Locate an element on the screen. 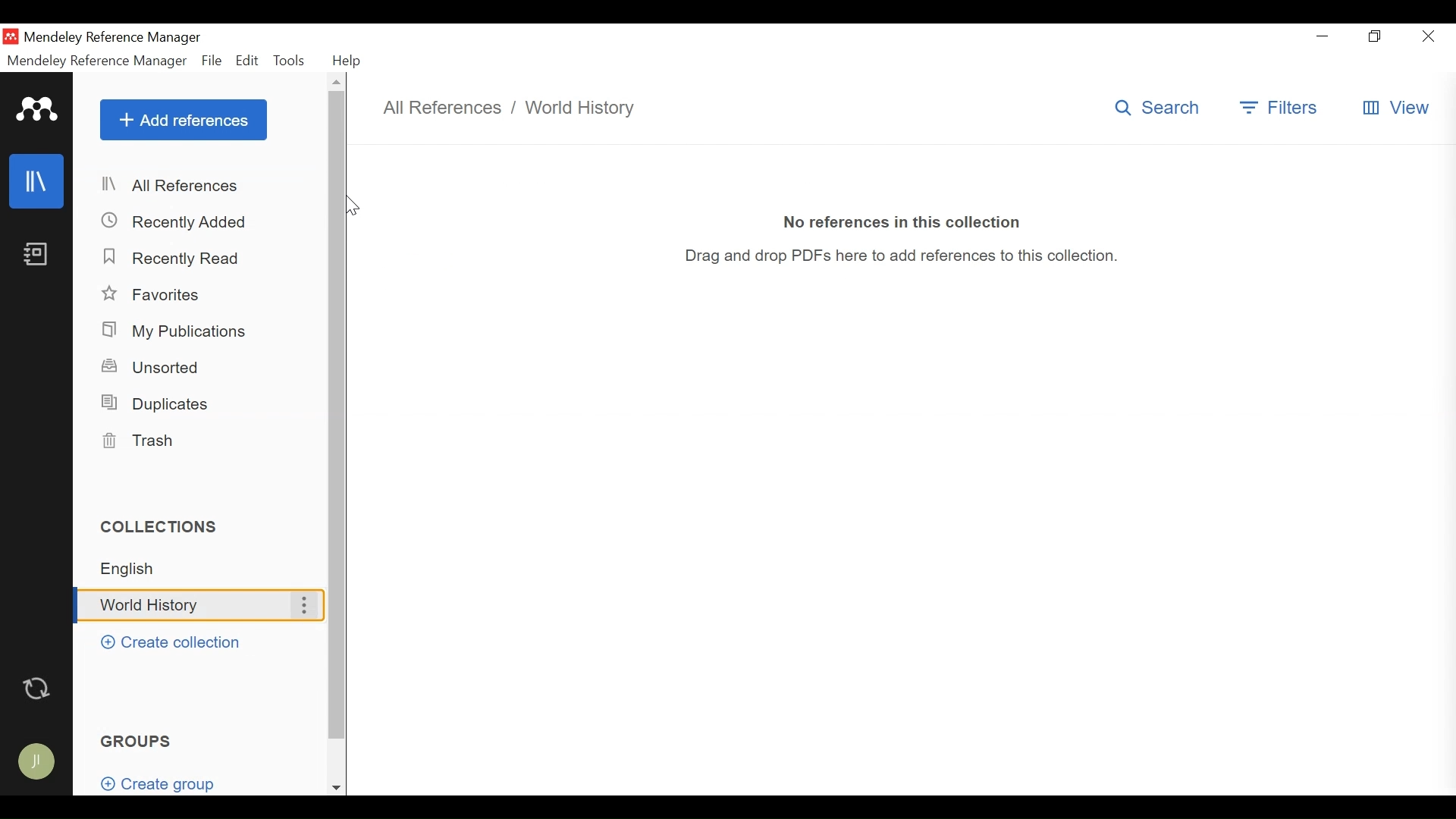 The image size is (1456, 819). Close is located at coordinates (1426, 36).